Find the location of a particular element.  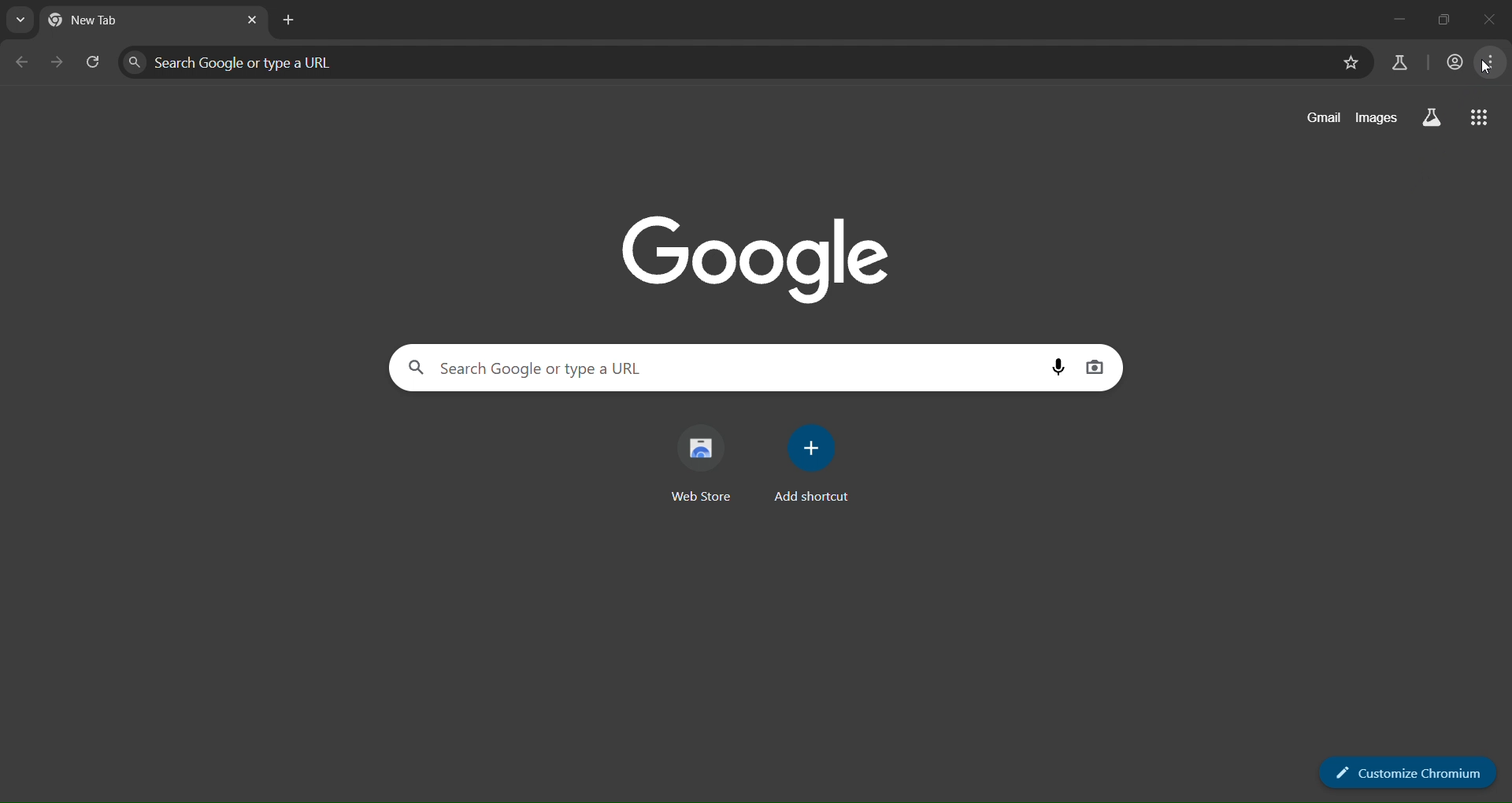

web store is located at coordinates (703, 458).